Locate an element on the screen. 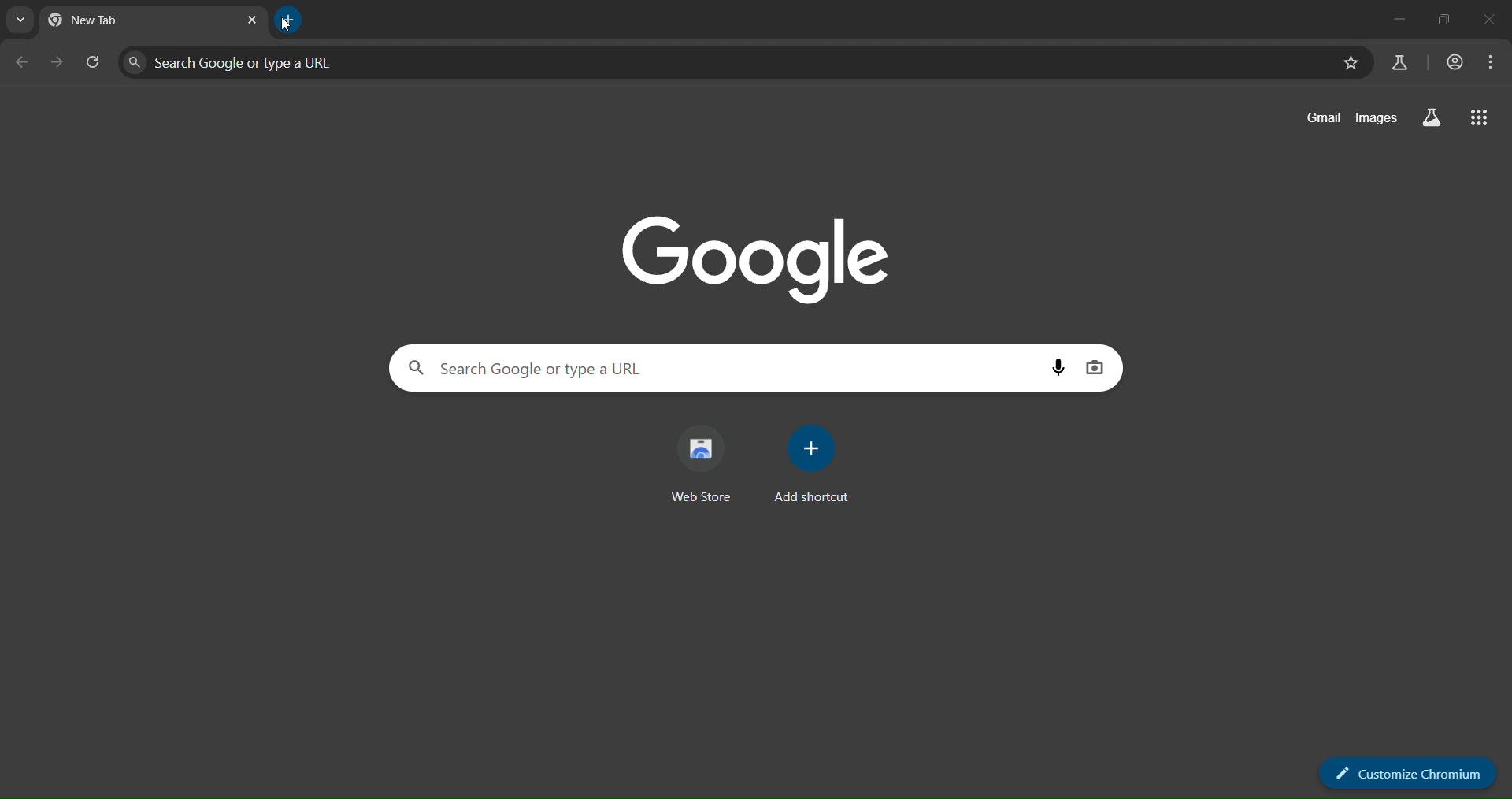  Search Google or type a URL is located at coordinates (722, 367).